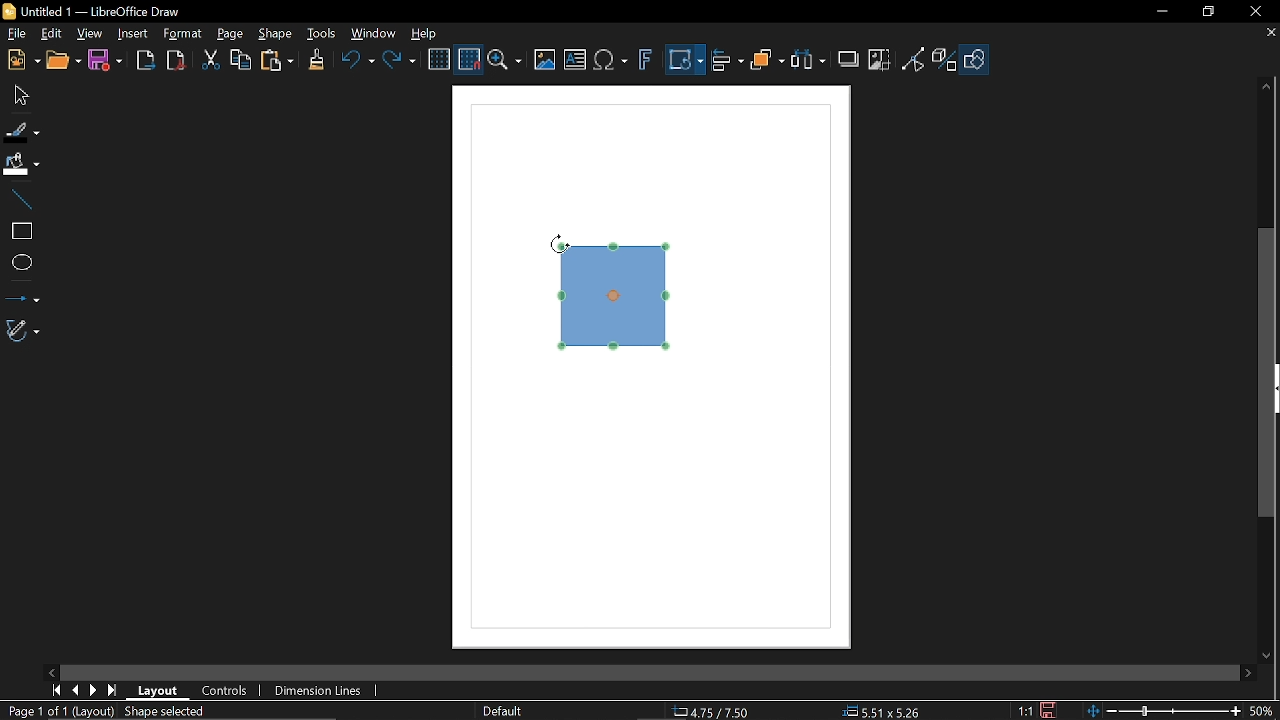  What do you see at coordinates (1267, 87) in the screenshot?
I see `Move up` at bounding box center [1267, 87].